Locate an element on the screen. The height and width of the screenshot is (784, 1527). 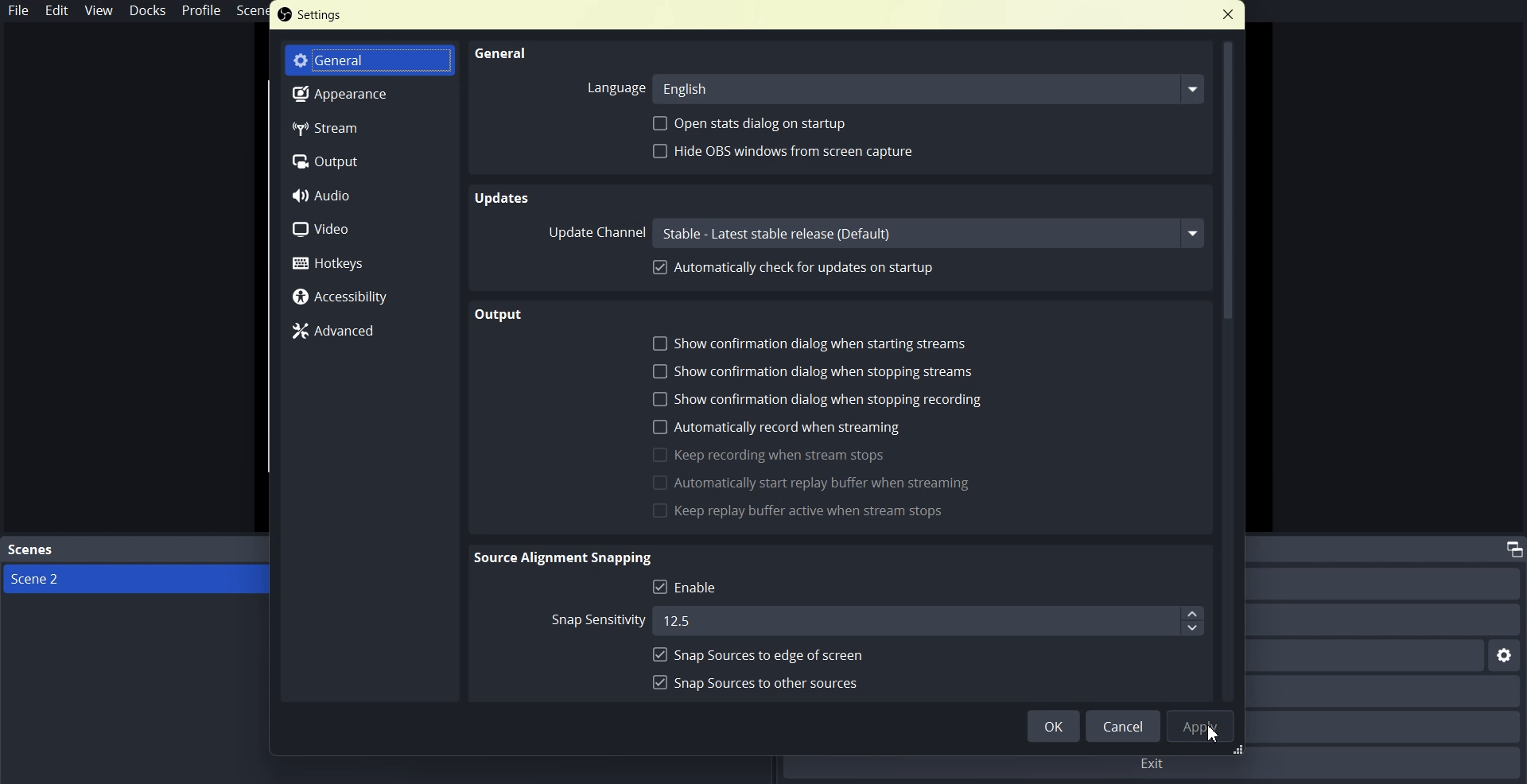
Keep recording when stream stops is located at coordinates (769, 455).